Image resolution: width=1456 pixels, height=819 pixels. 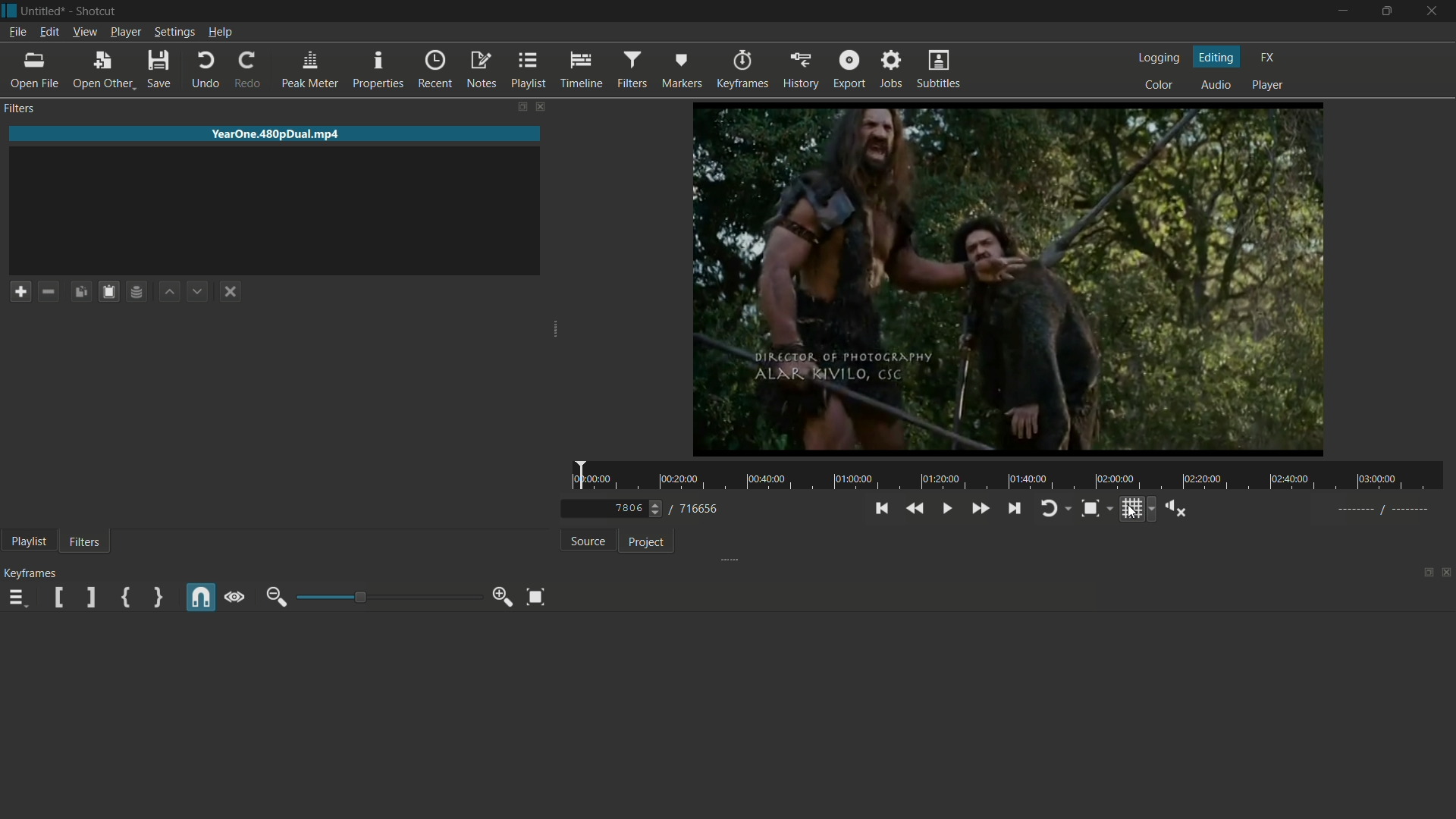 I want to click on skip to the next point, so click(x=1013, y=508).